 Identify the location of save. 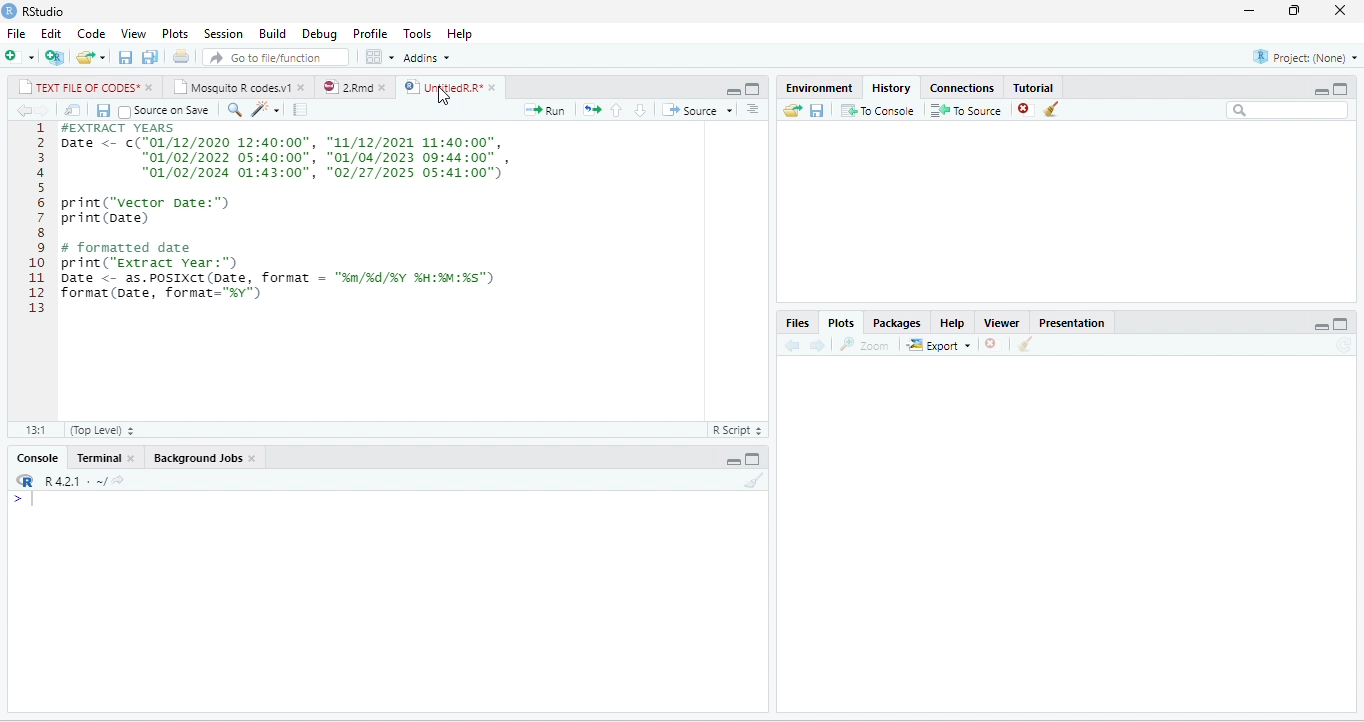
(103, 110).